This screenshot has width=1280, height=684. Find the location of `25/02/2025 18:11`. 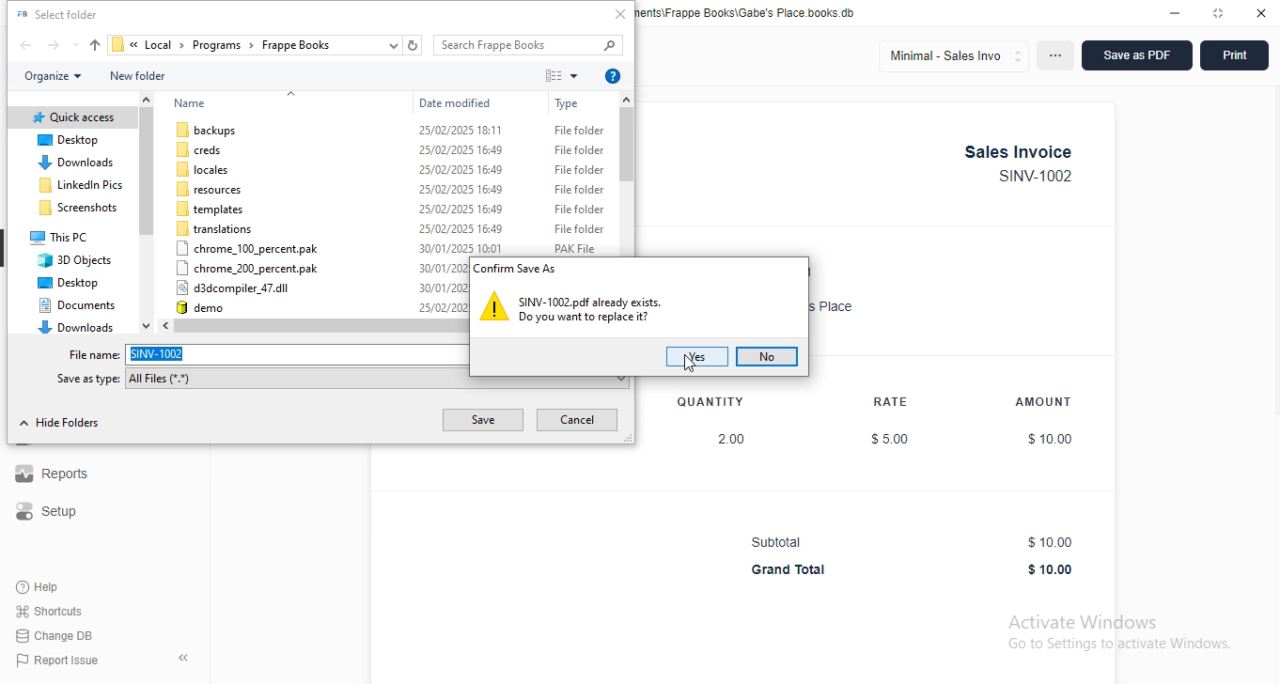

25/02/2025 18:11 is located at coordinates (460, 129).